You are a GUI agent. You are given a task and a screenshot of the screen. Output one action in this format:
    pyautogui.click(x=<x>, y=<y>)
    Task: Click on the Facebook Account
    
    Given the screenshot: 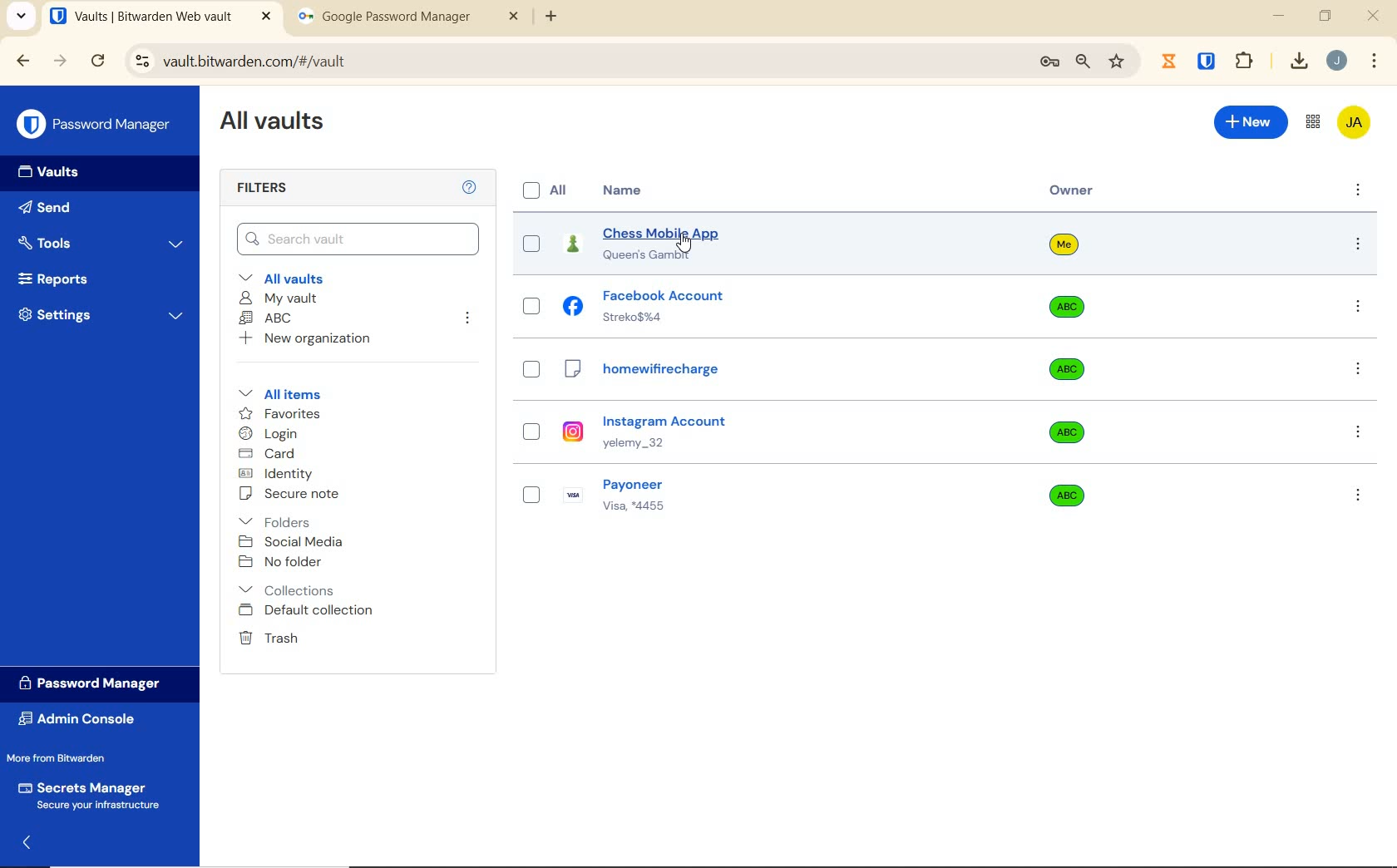 What is the action you would take?
    pyautogui.click(x=663, y=296)
    